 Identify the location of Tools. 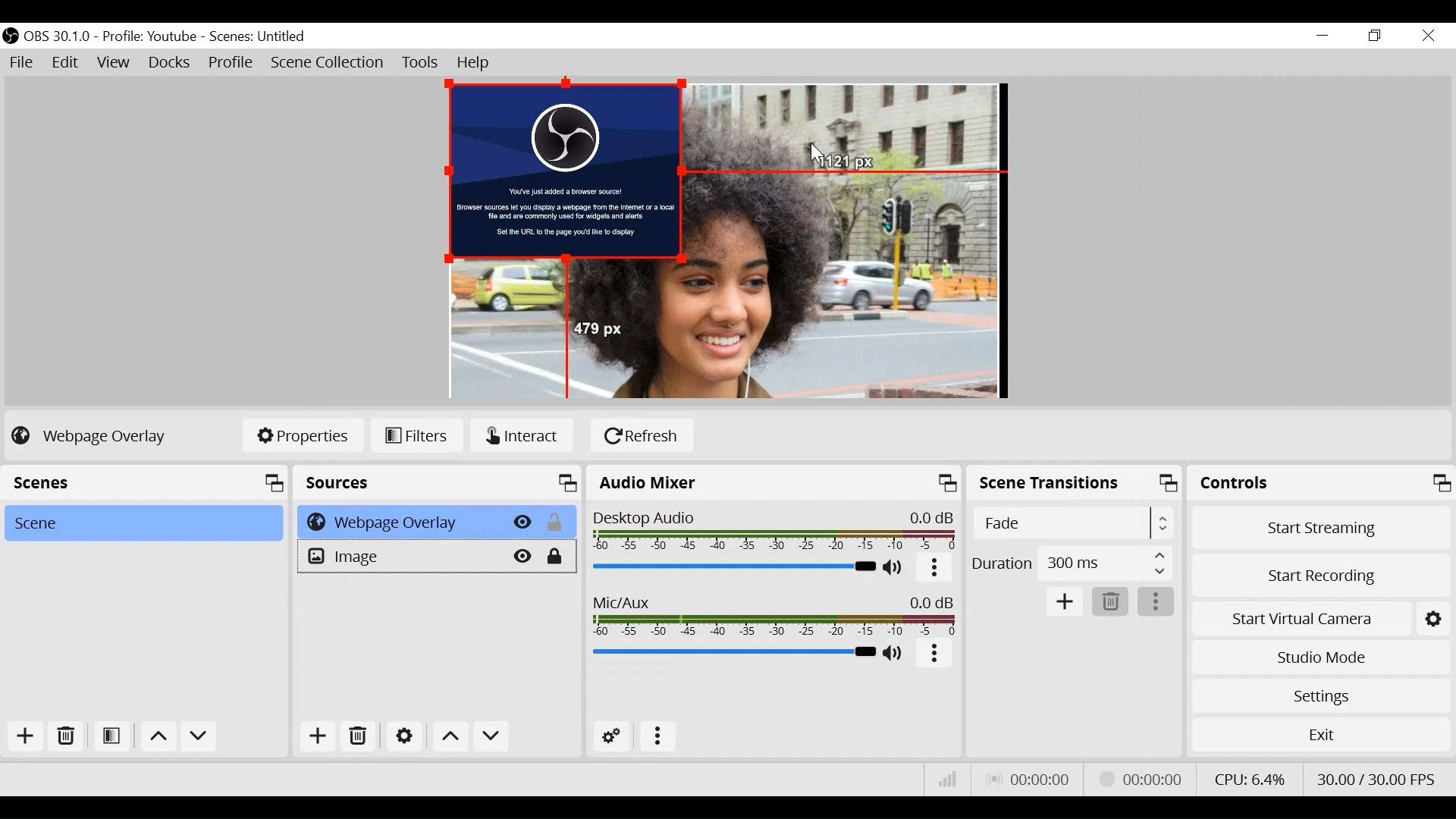
(422, 64).